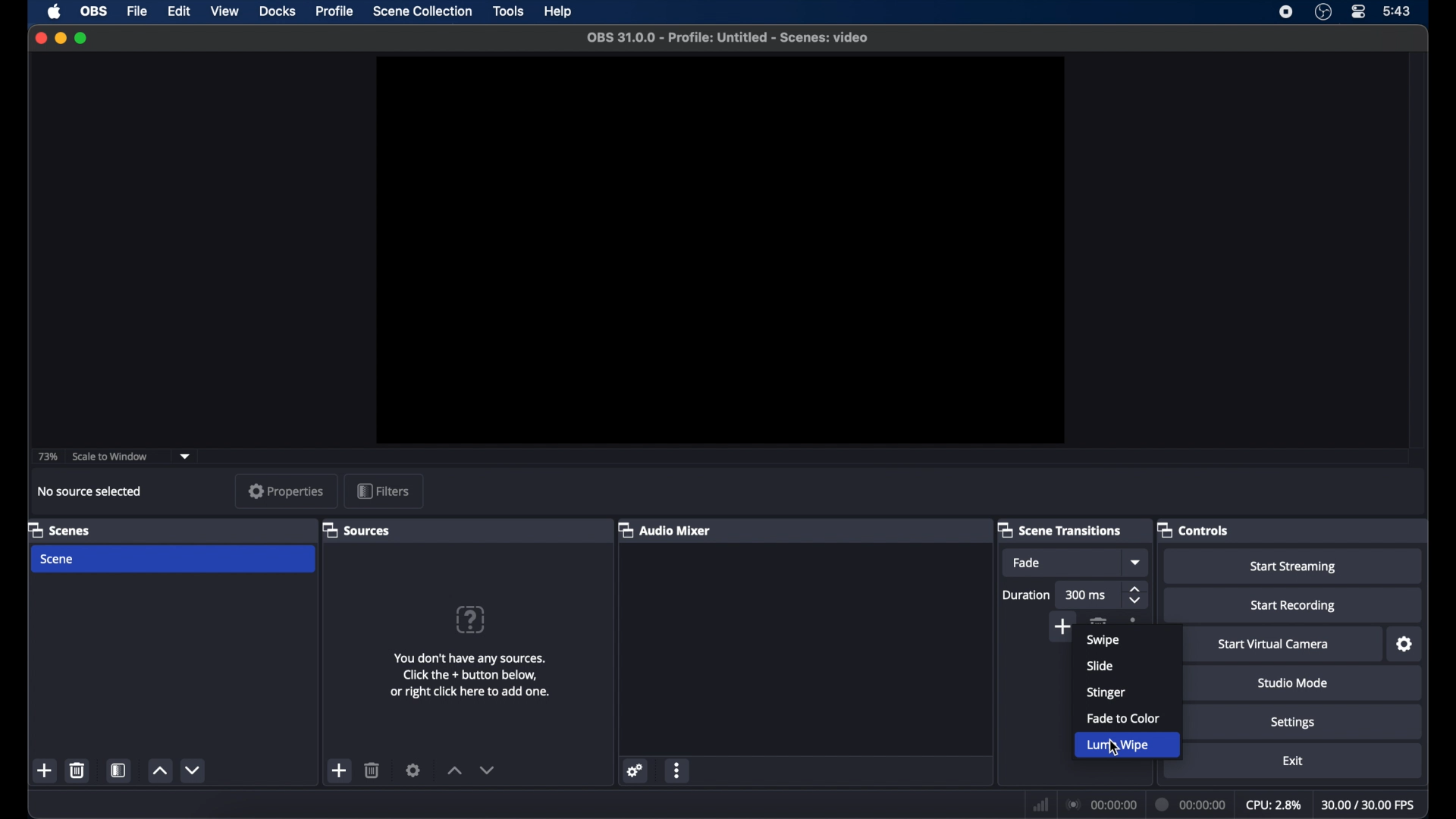  I want to click on file name, so click(730, 37).